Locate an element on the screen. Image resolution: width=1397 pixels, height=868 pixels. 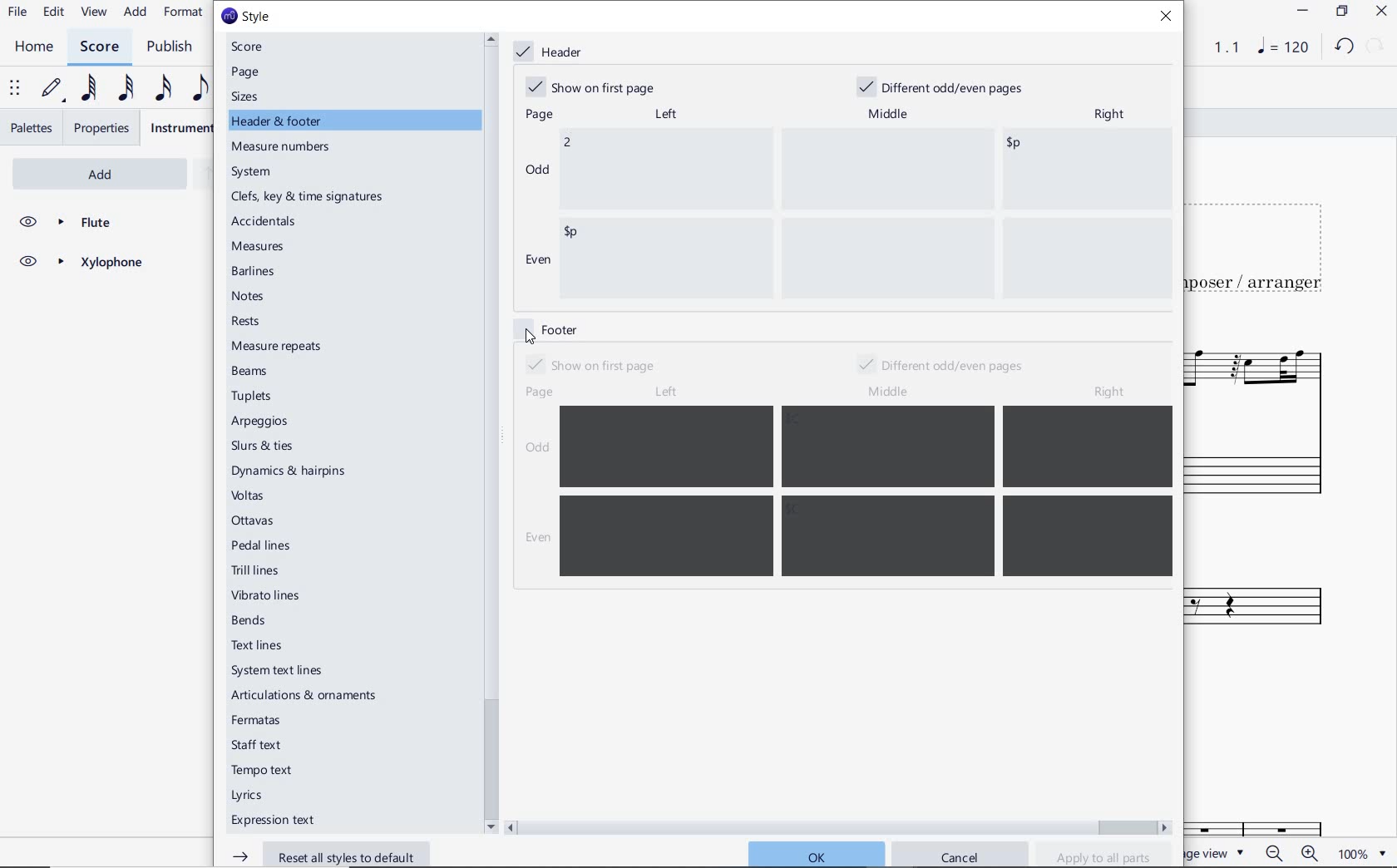
dynamics & hairpins is located at coordinates (292, 471).